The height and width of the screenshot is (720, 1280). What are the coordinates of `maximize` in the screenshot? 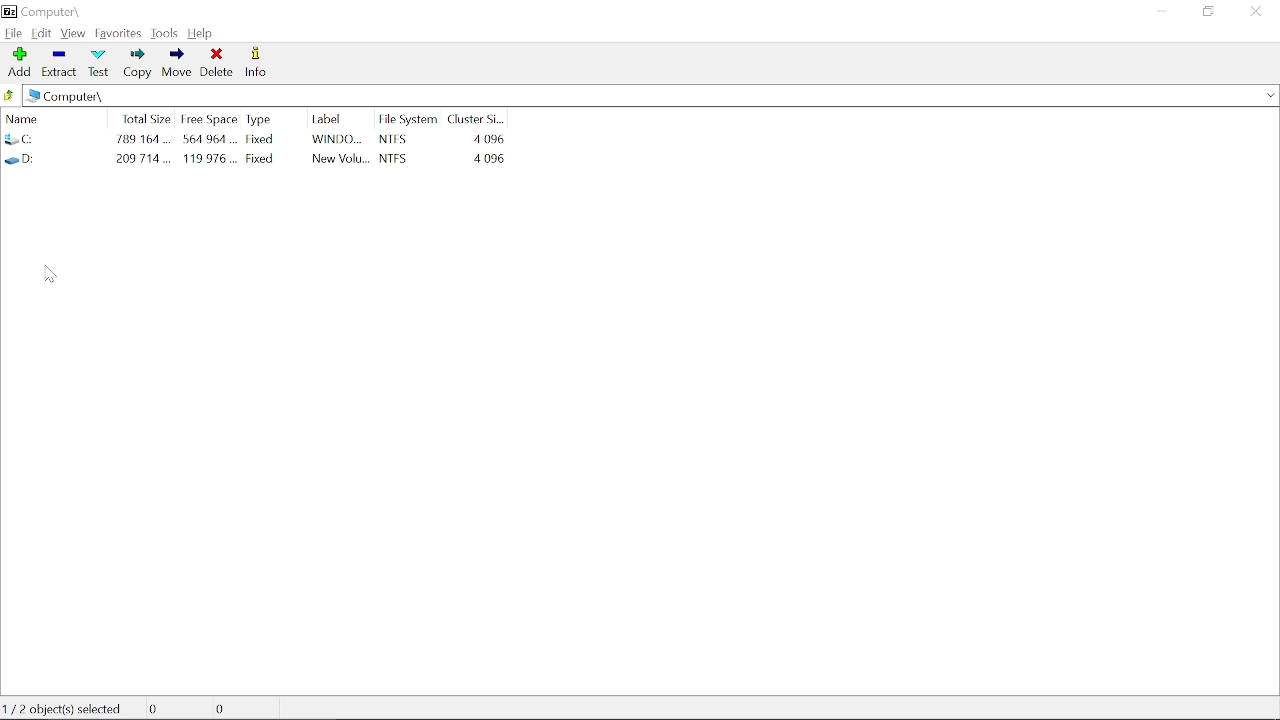 It's located at (1206, 14).